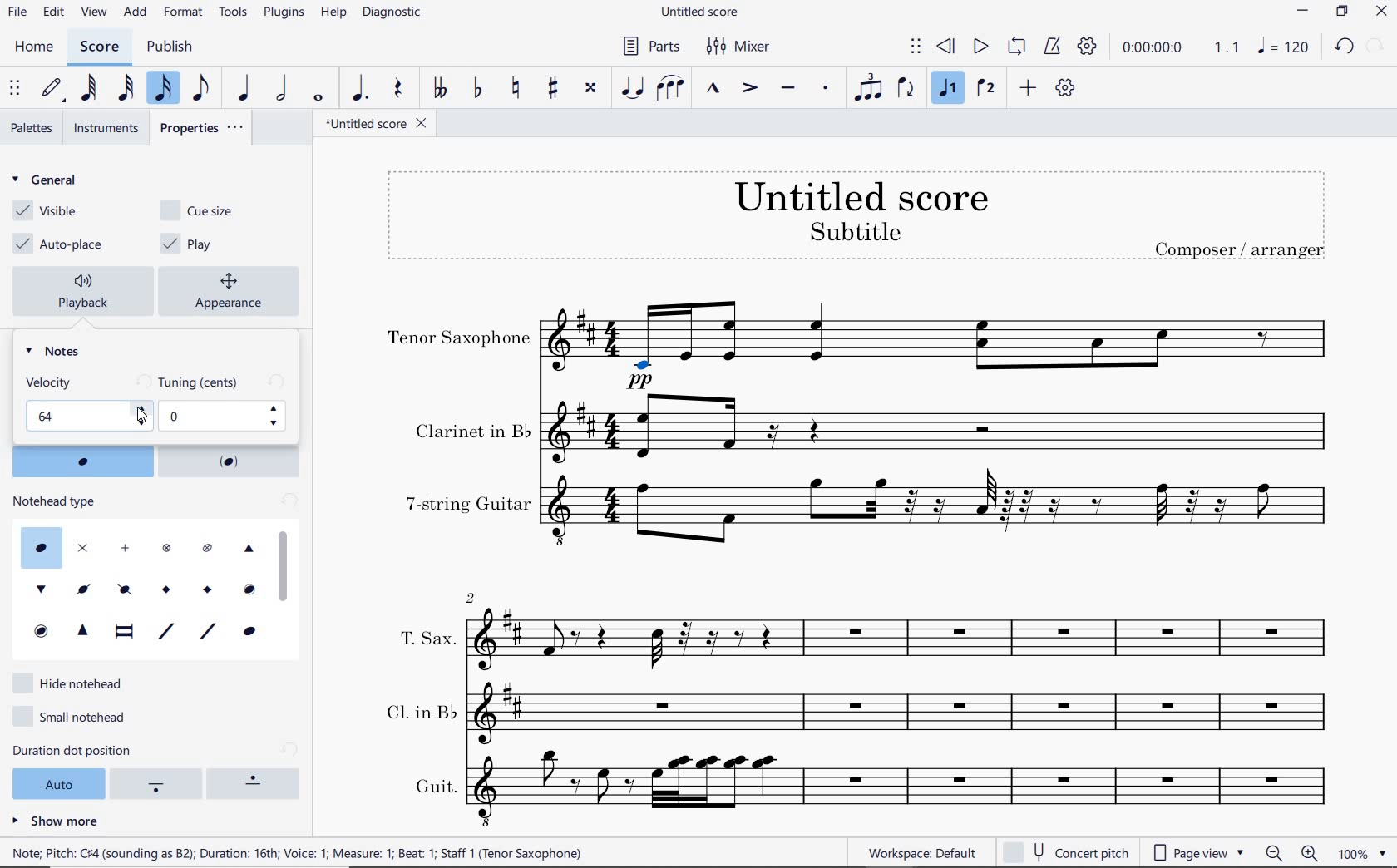  Describe the element at coordinates (1342, 12) in the screenshot. I see `restore down` at that location.